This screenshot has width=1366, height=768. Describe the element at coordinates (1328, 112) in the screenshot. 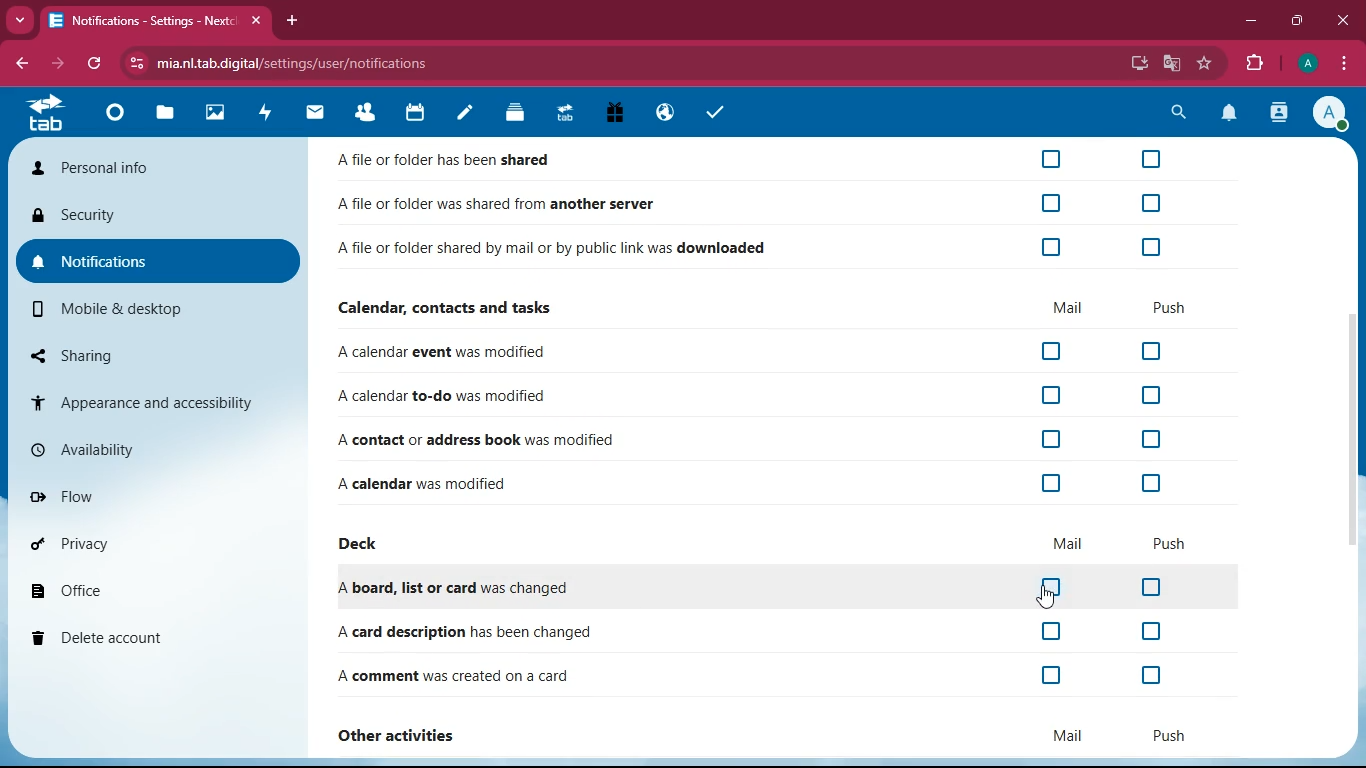

I see `Account` at that location.